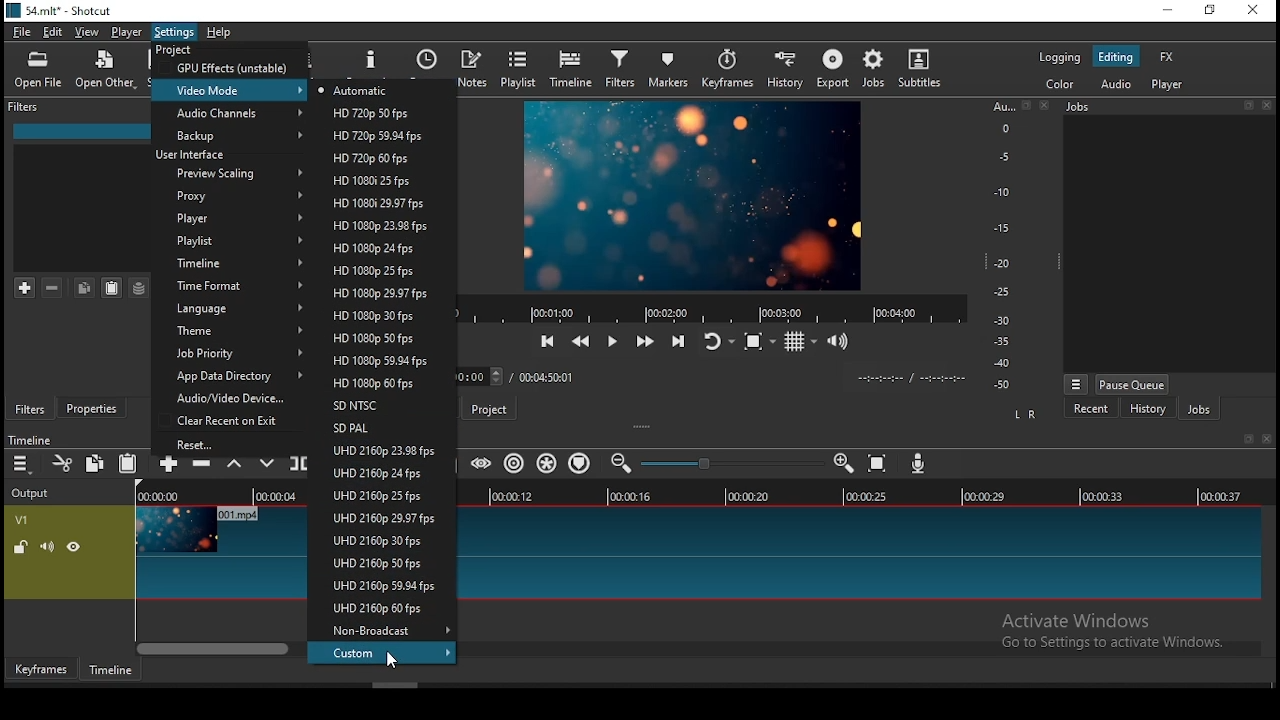 Image resolution: width=1280 pixels, height=720 pixels. Describe the element at coordinates (801, 339) in the screenshot. I see `toggle grid display on the player` at that location.